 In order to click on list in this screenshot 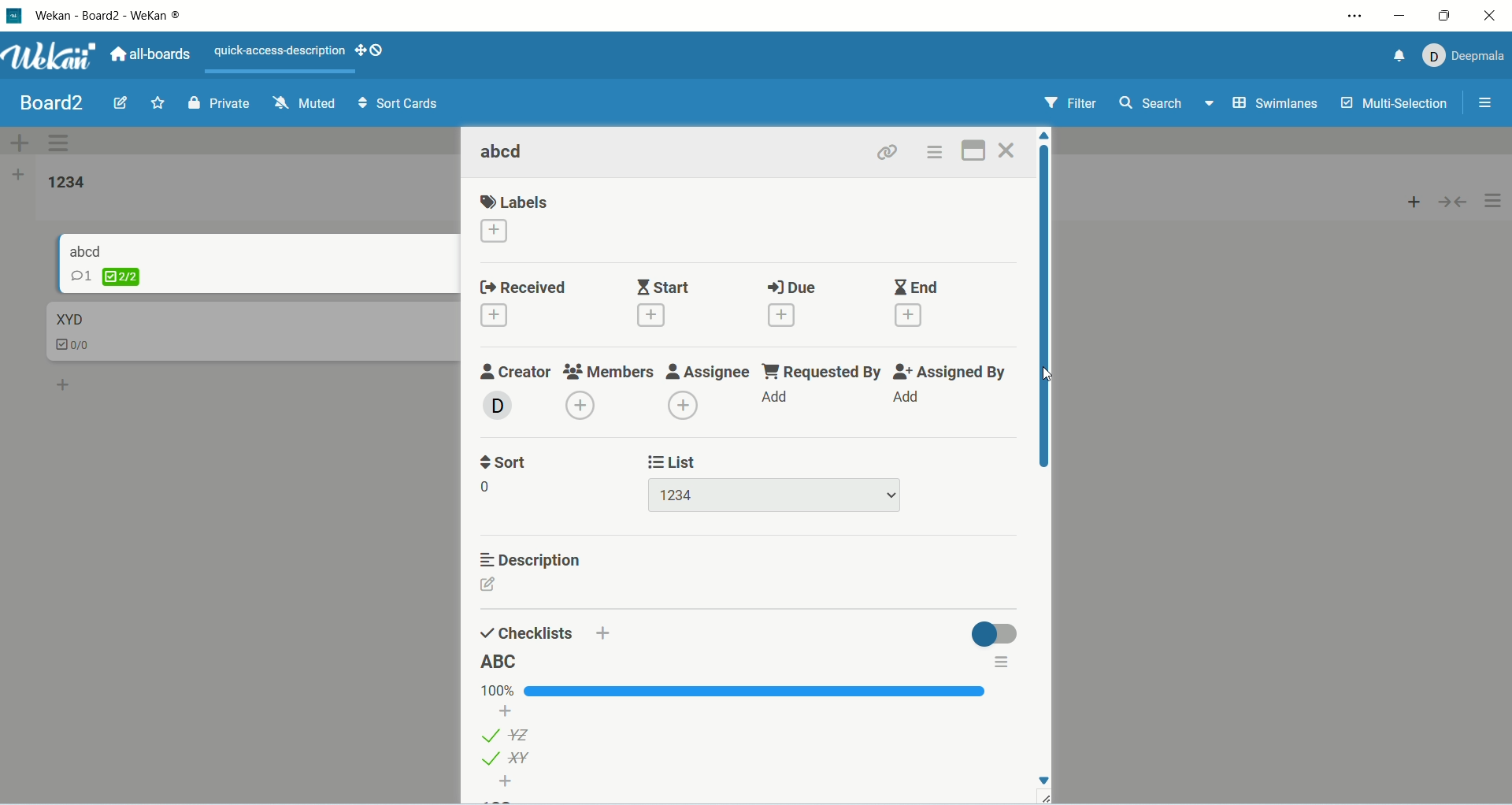, I will do `click(508, 759)`.